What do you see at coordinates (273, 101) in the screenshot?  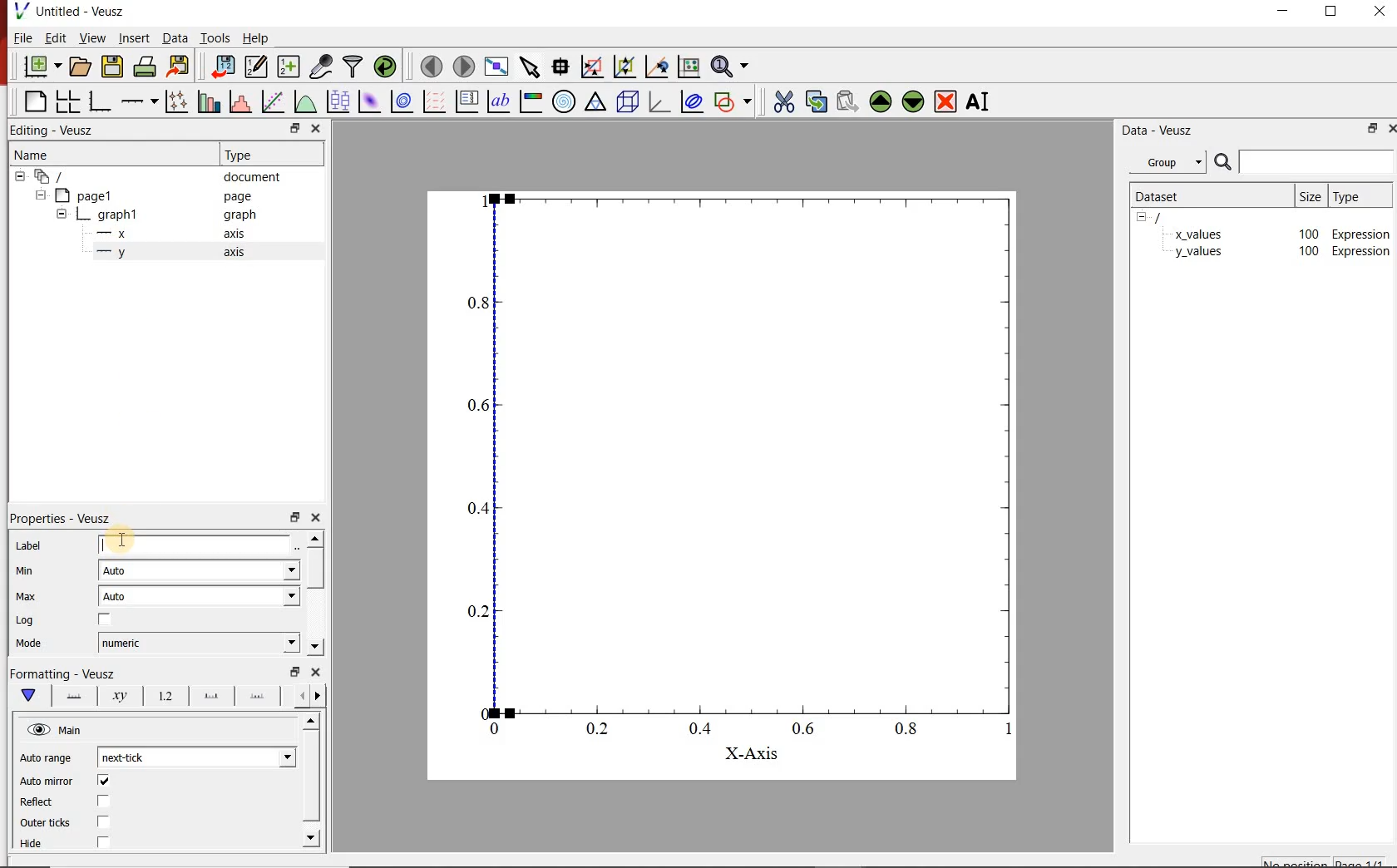 I see `fit a function to a data` at bounding box center [273, 101].